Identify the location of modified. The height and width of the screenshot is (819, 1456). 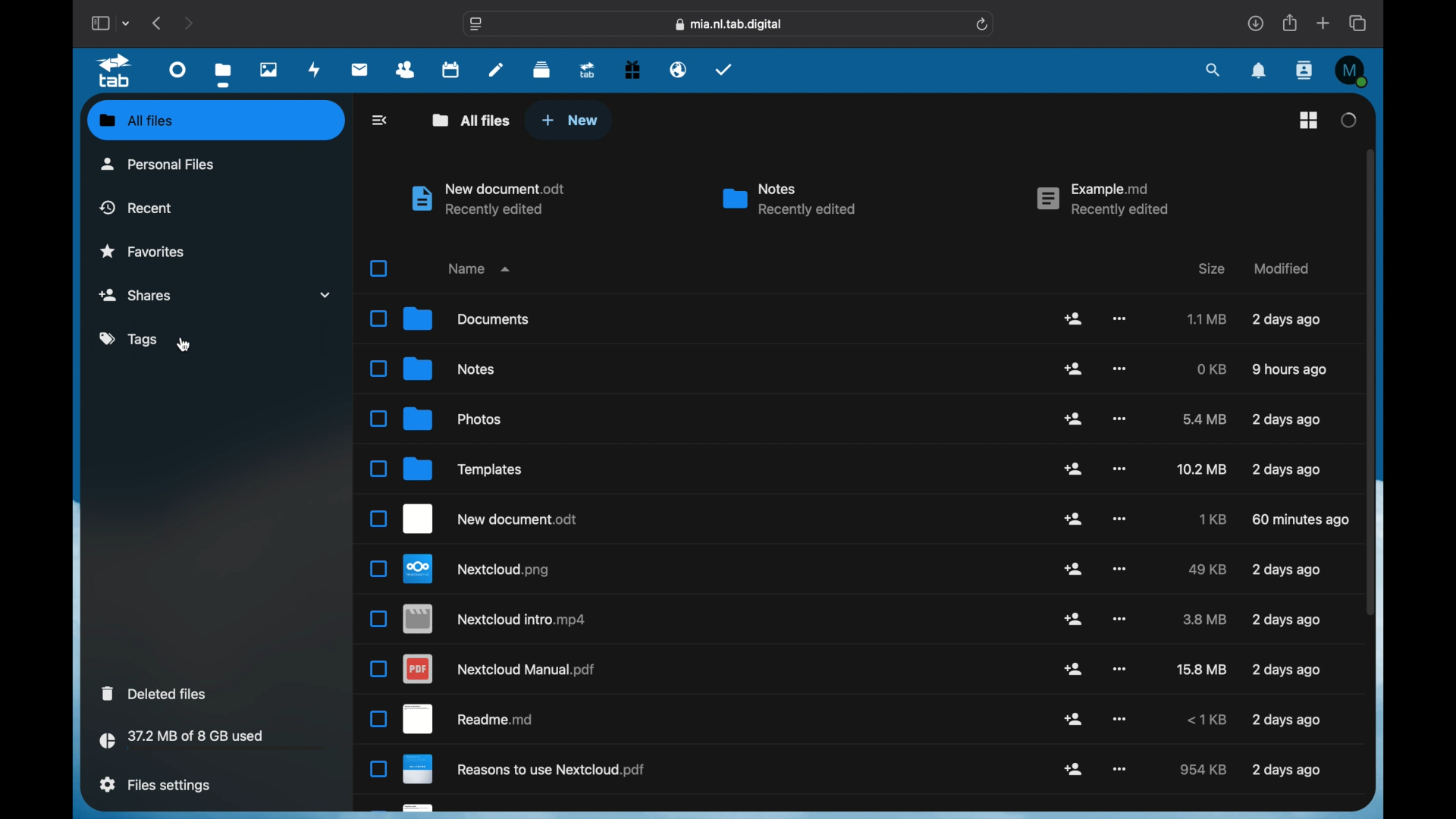
(1286, 771).